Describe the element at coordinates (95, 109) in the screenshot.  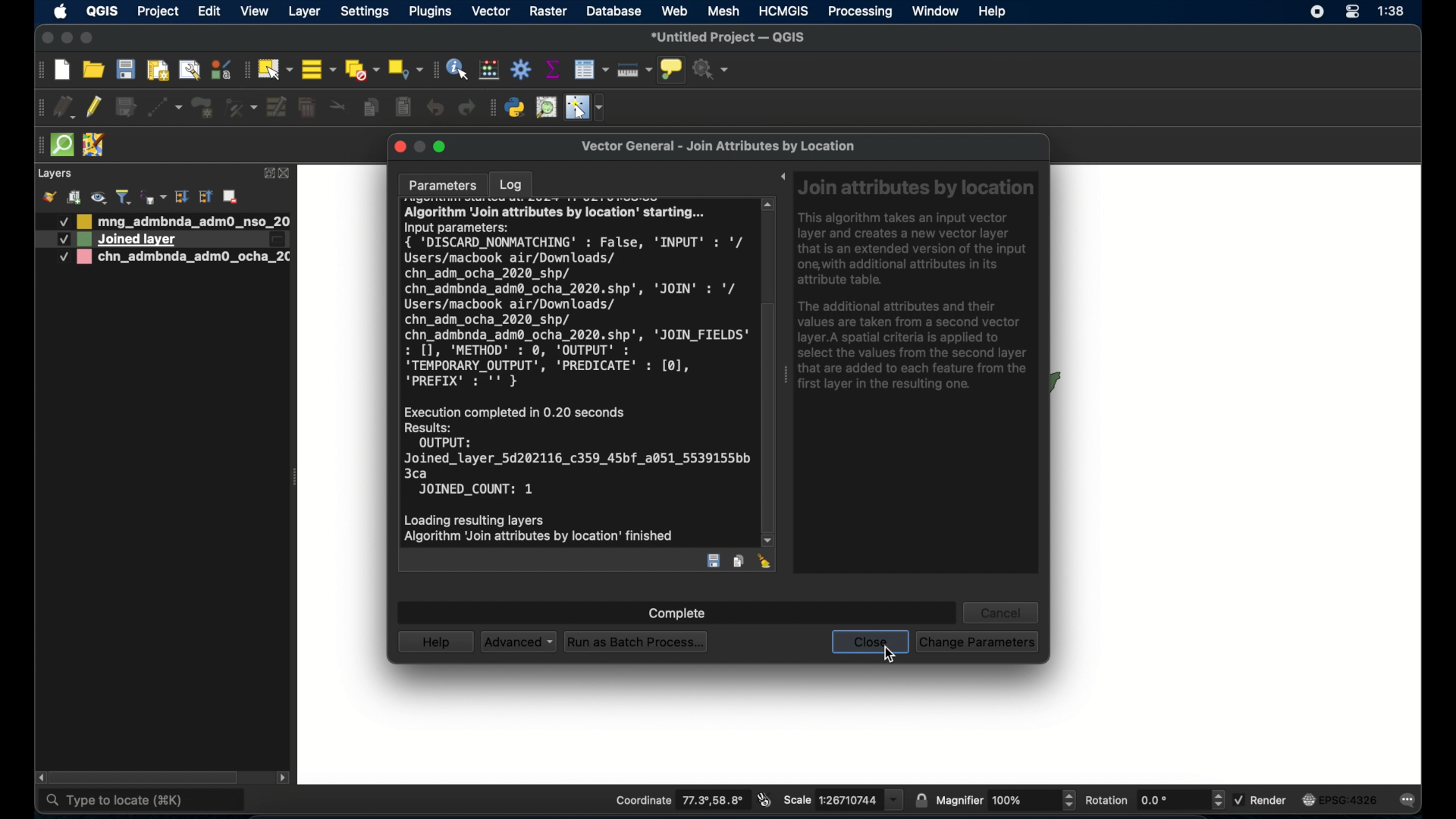
I see `toggle editing` at that location.